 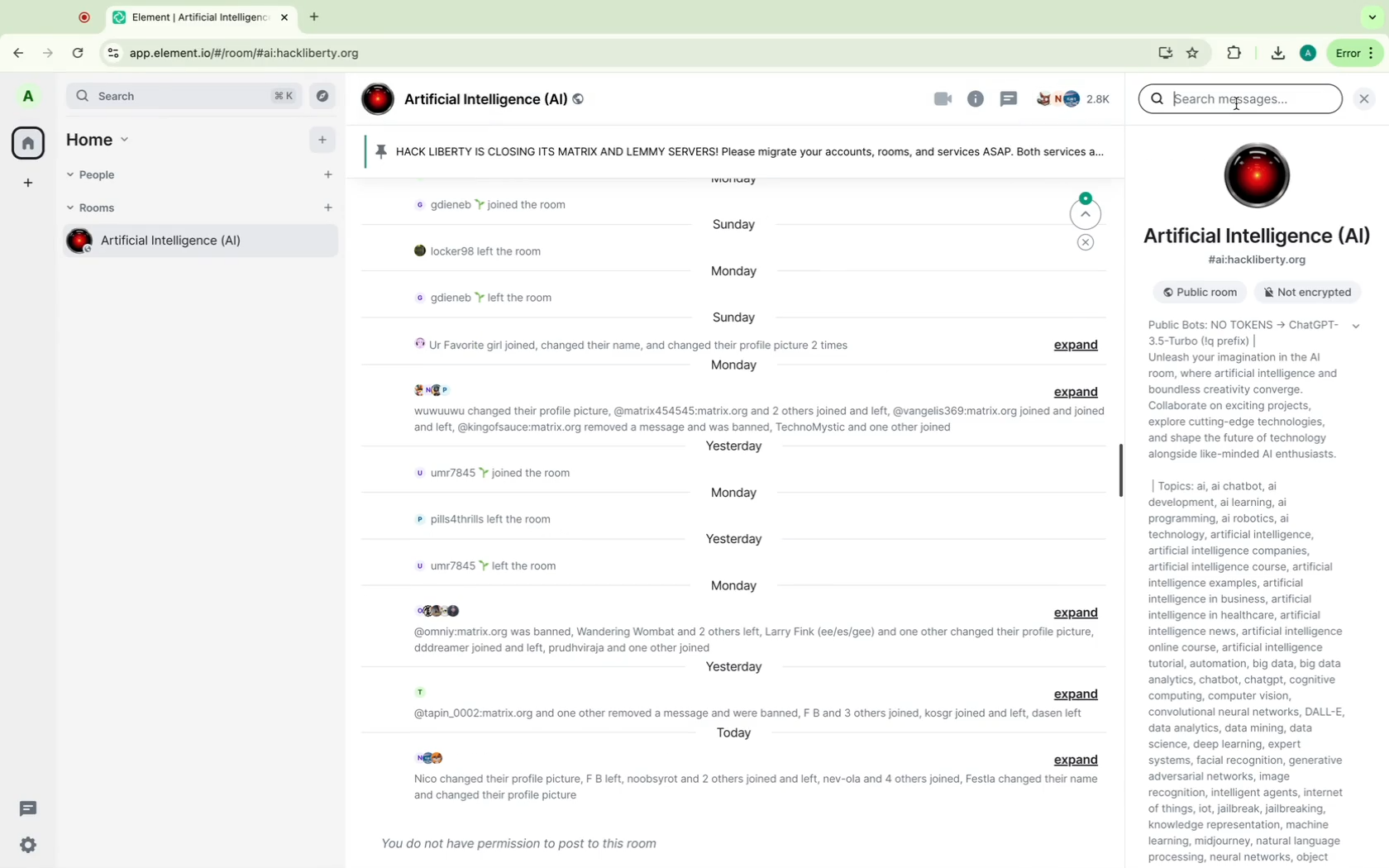 What do you see at coordinates (30, 808) in the screenshot?
I see `threads` at bounding box center [30, 808].